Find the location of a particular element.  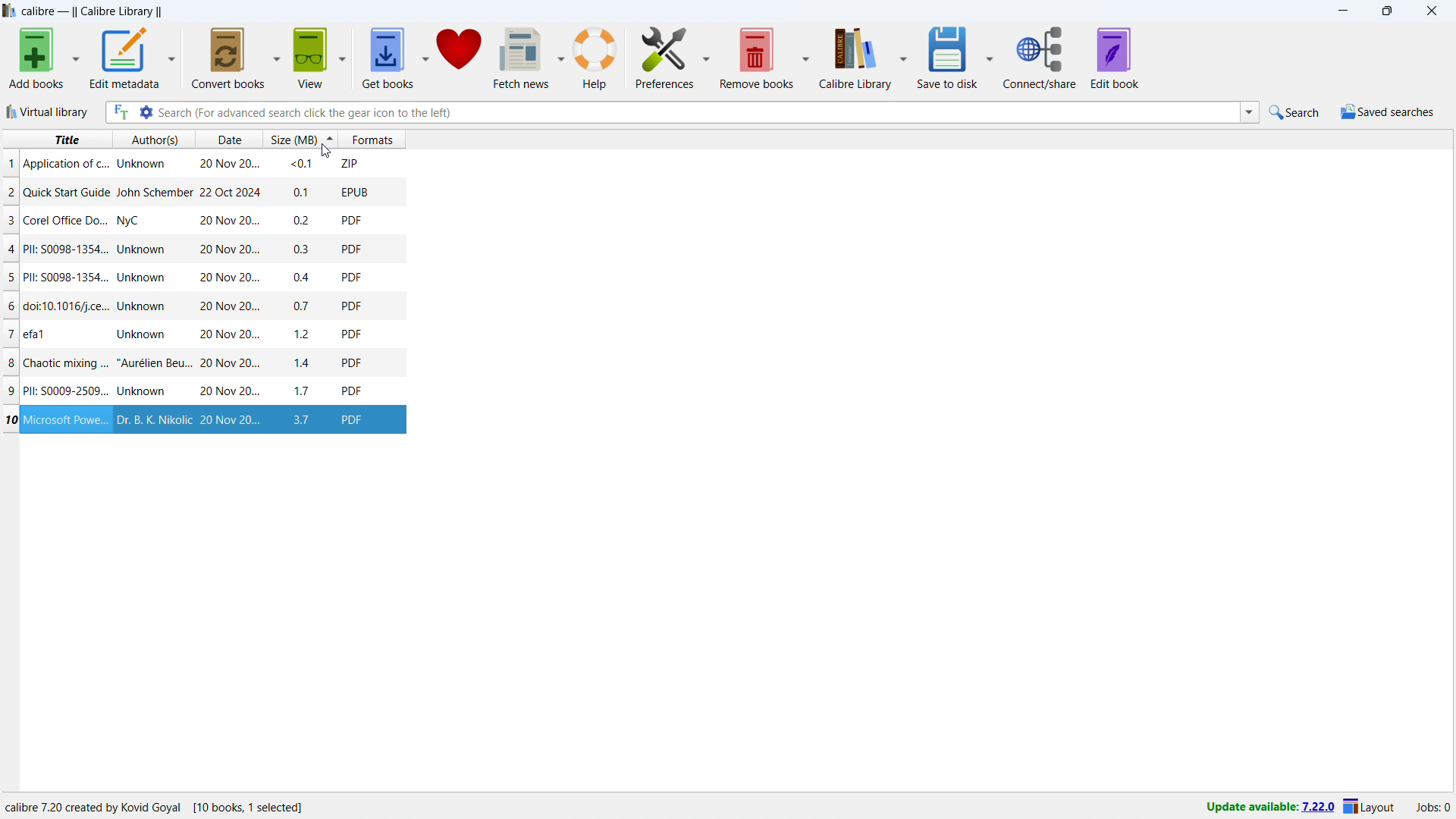

date is located at coordinates (230, 334).